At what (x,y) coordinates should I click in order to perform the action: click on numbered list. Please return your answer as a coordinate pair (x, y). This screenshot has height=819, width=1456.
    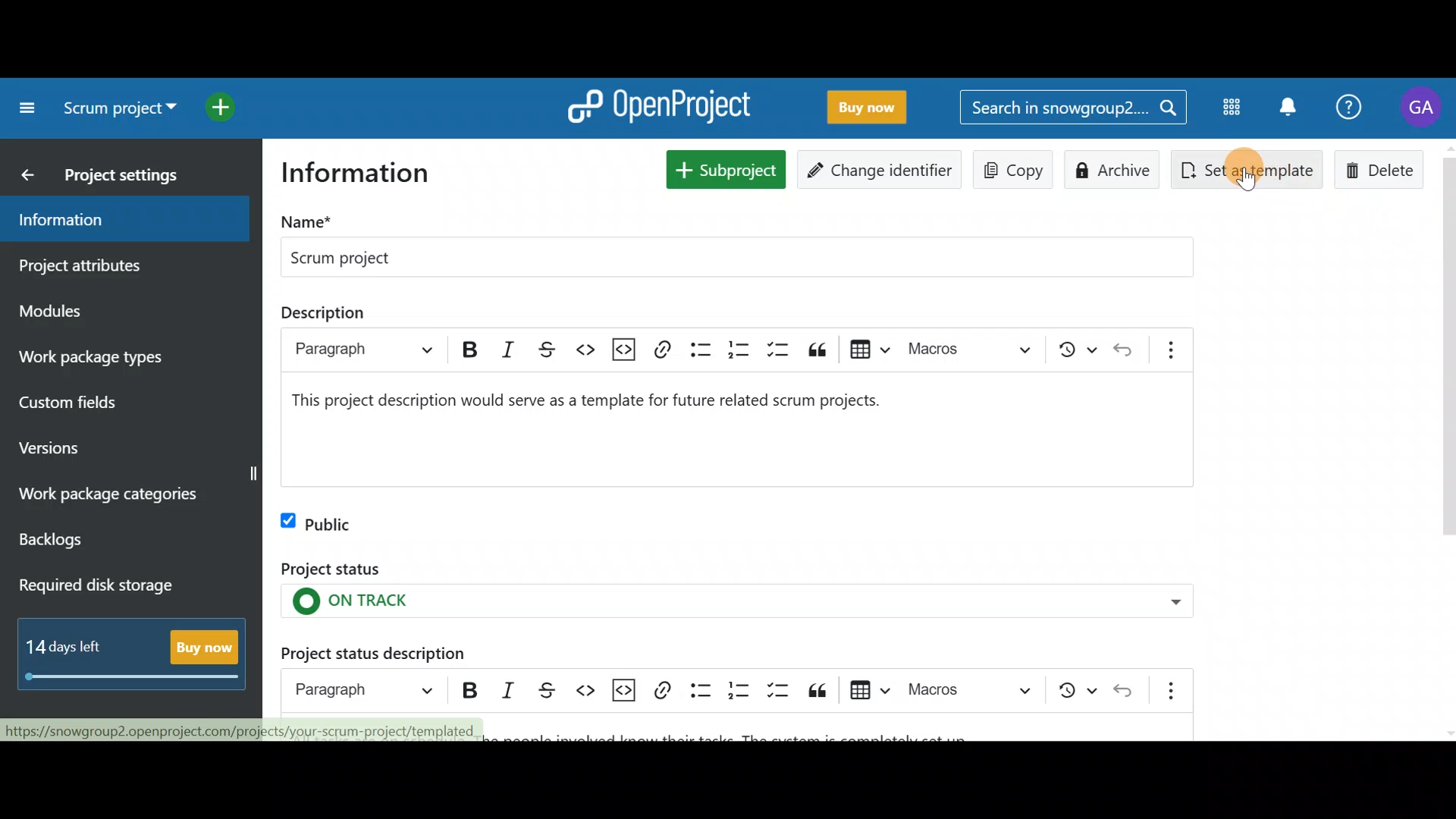
    Looking at the image, I should click on (739, 349).